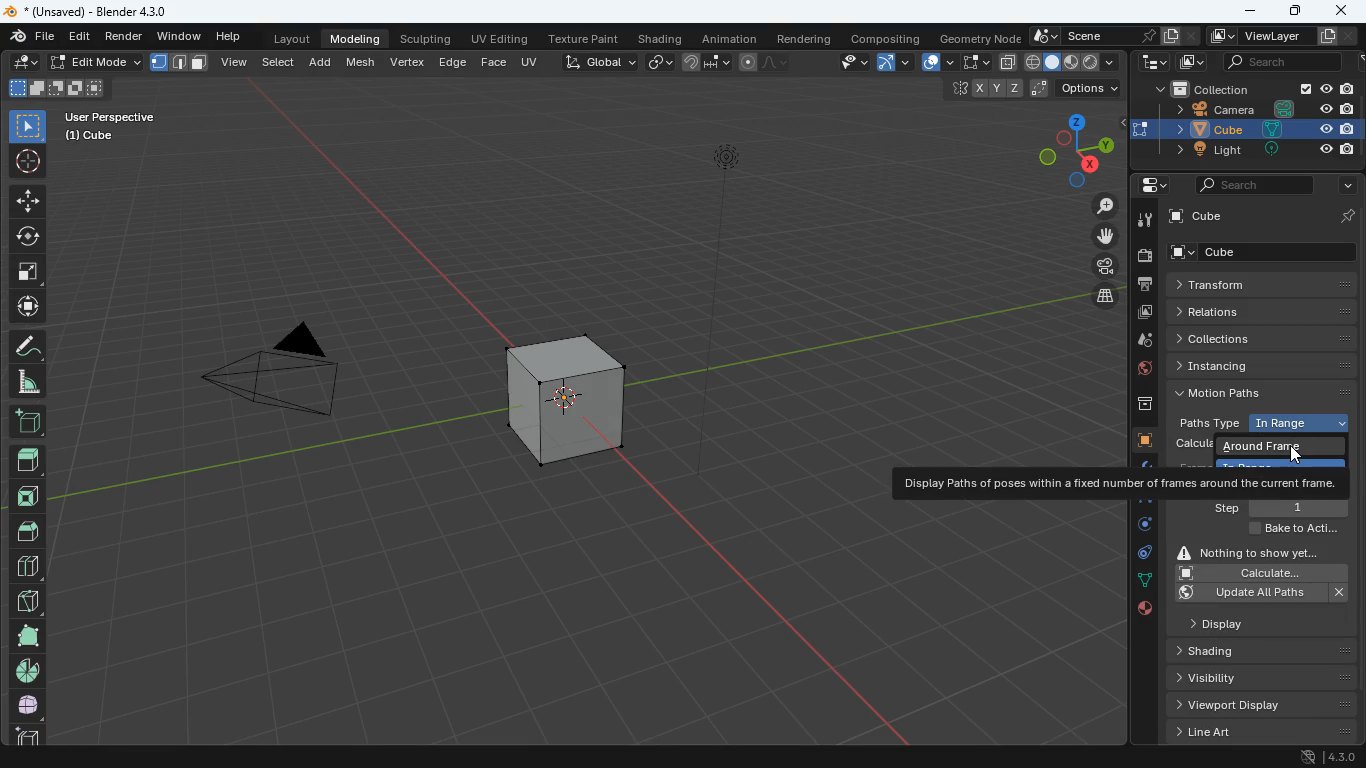  What do you see at coordinates (280, 60) in the screenshot?
I see `select` at bounding box center [280, 60].